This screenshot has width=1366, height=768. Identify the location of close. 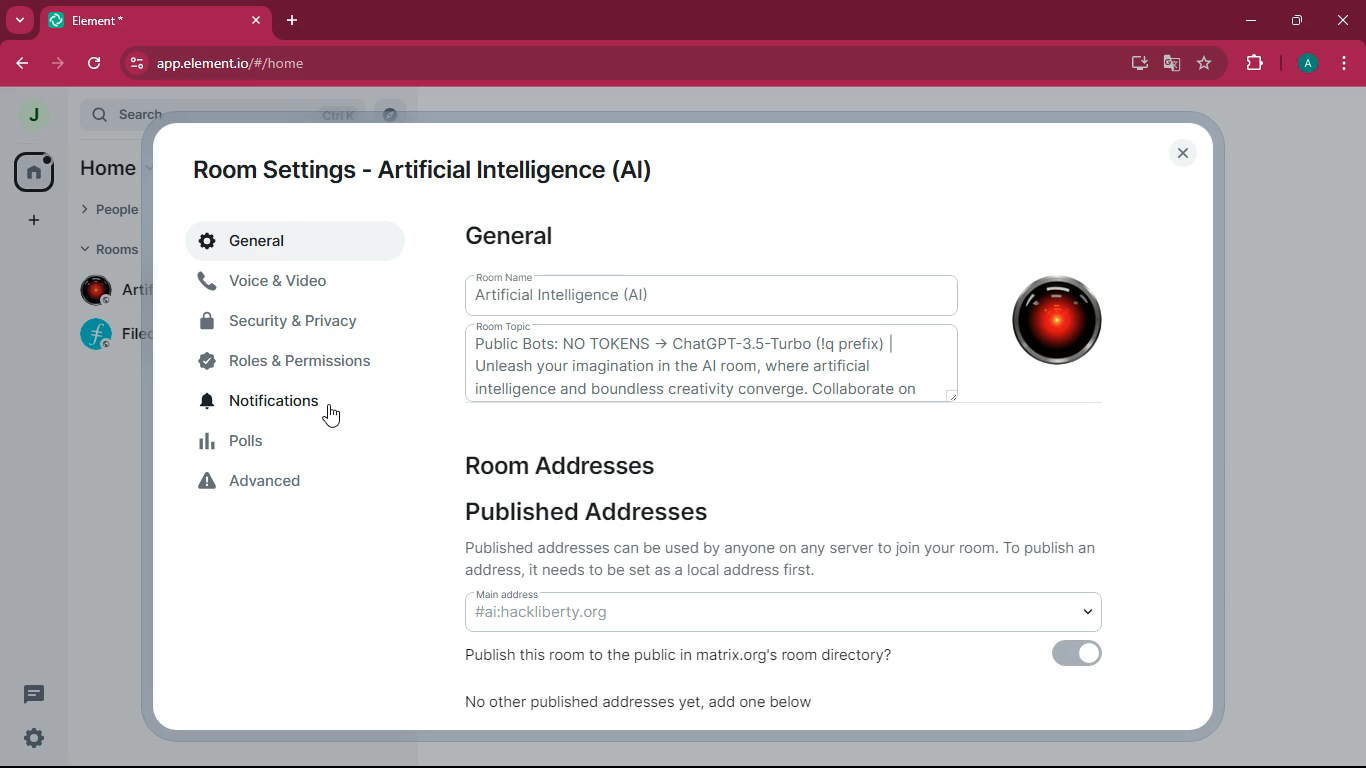
(1184, 156).